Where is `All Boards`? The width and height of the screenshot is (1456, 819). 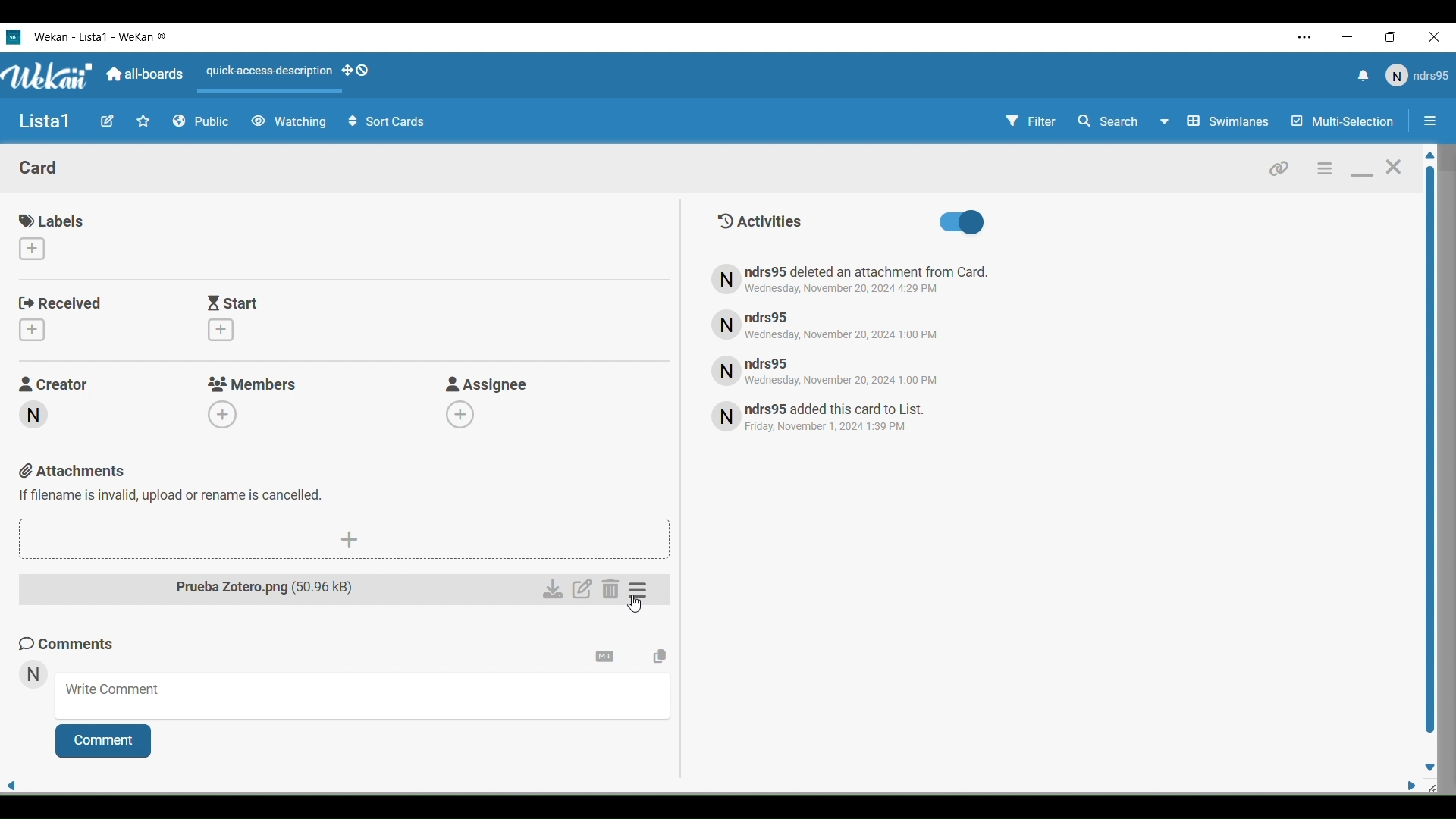 All Boards is located at coordinates (146, 74).